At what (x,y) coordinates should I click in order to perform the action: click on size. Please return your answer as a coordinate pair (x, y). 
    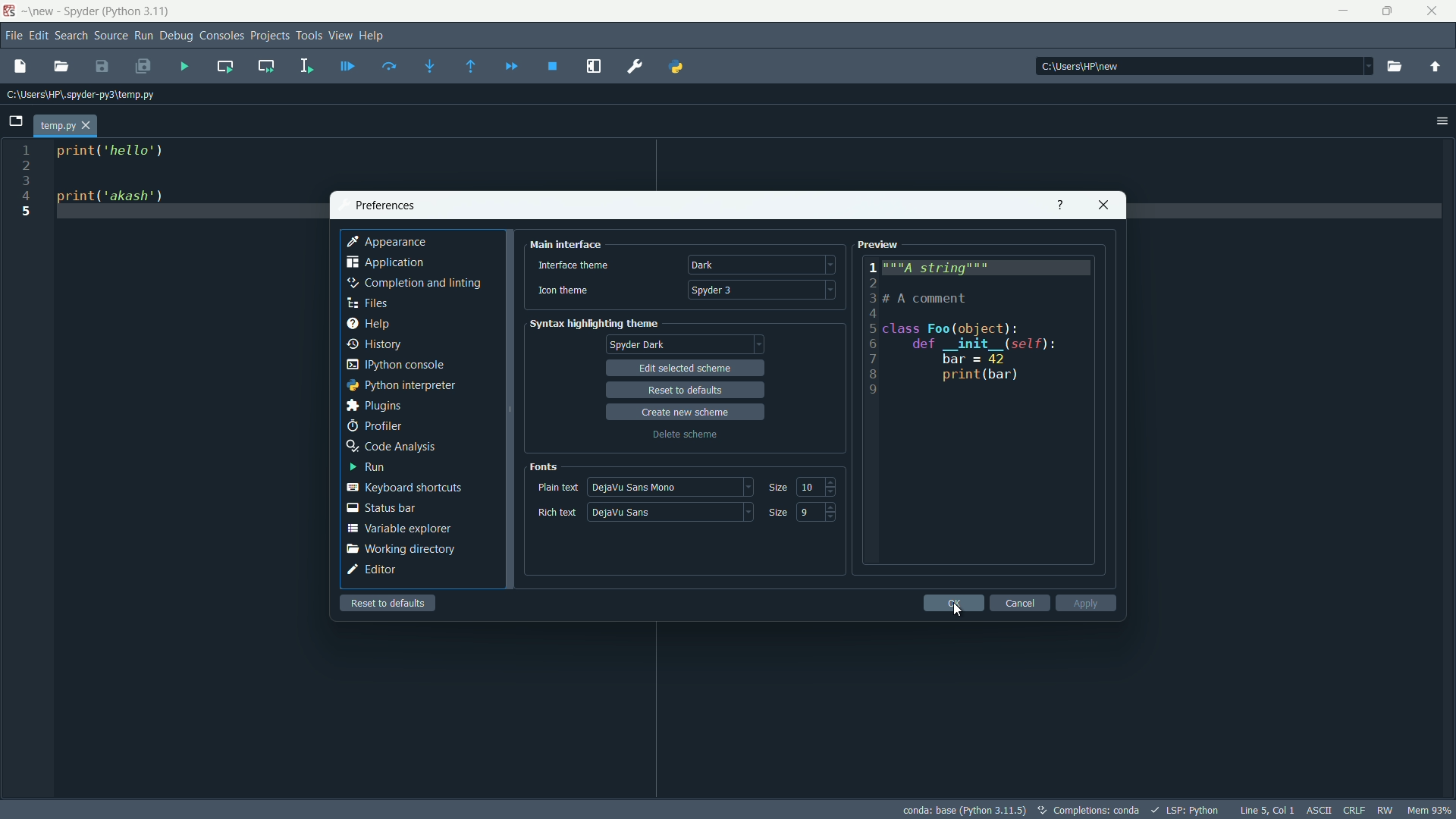
    Looking at the image, I should click on (777, 488).